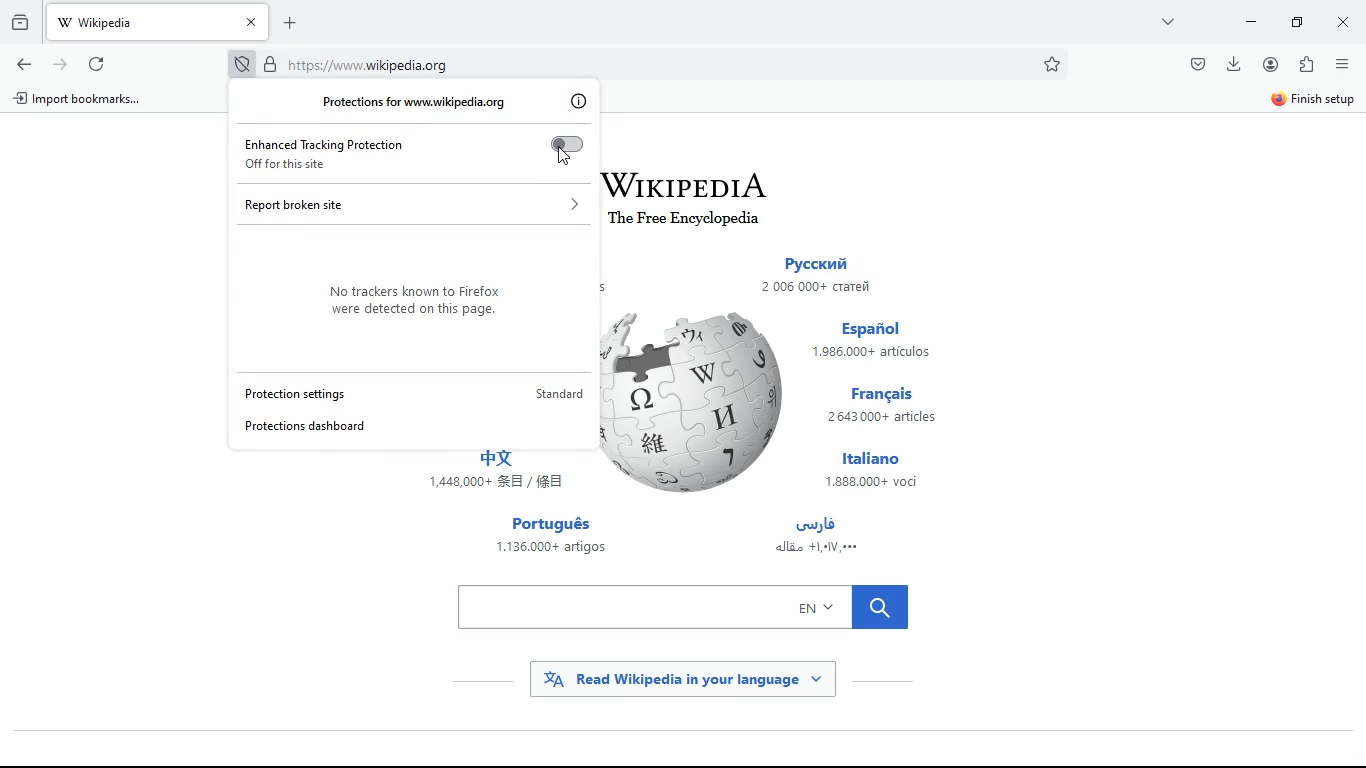 This screenshot has width=1366, height=768. Describe the element at coordinates (415, 298) in the screenshot. I see `No trackers known to Firefox were detected on this page` at that location.